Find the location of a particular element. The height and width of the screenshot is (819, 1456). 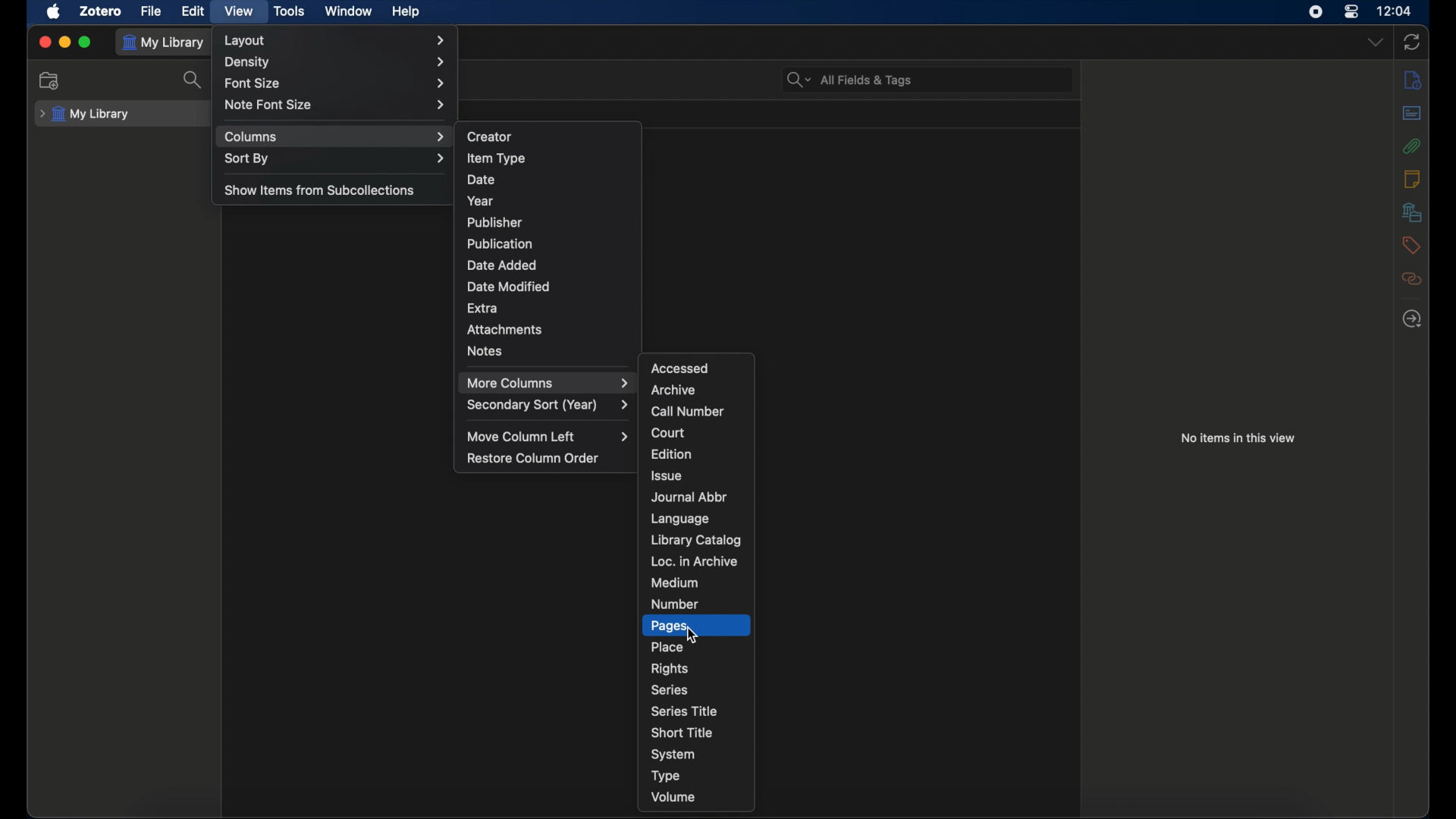

locate is located at coordinates (1412, 319).